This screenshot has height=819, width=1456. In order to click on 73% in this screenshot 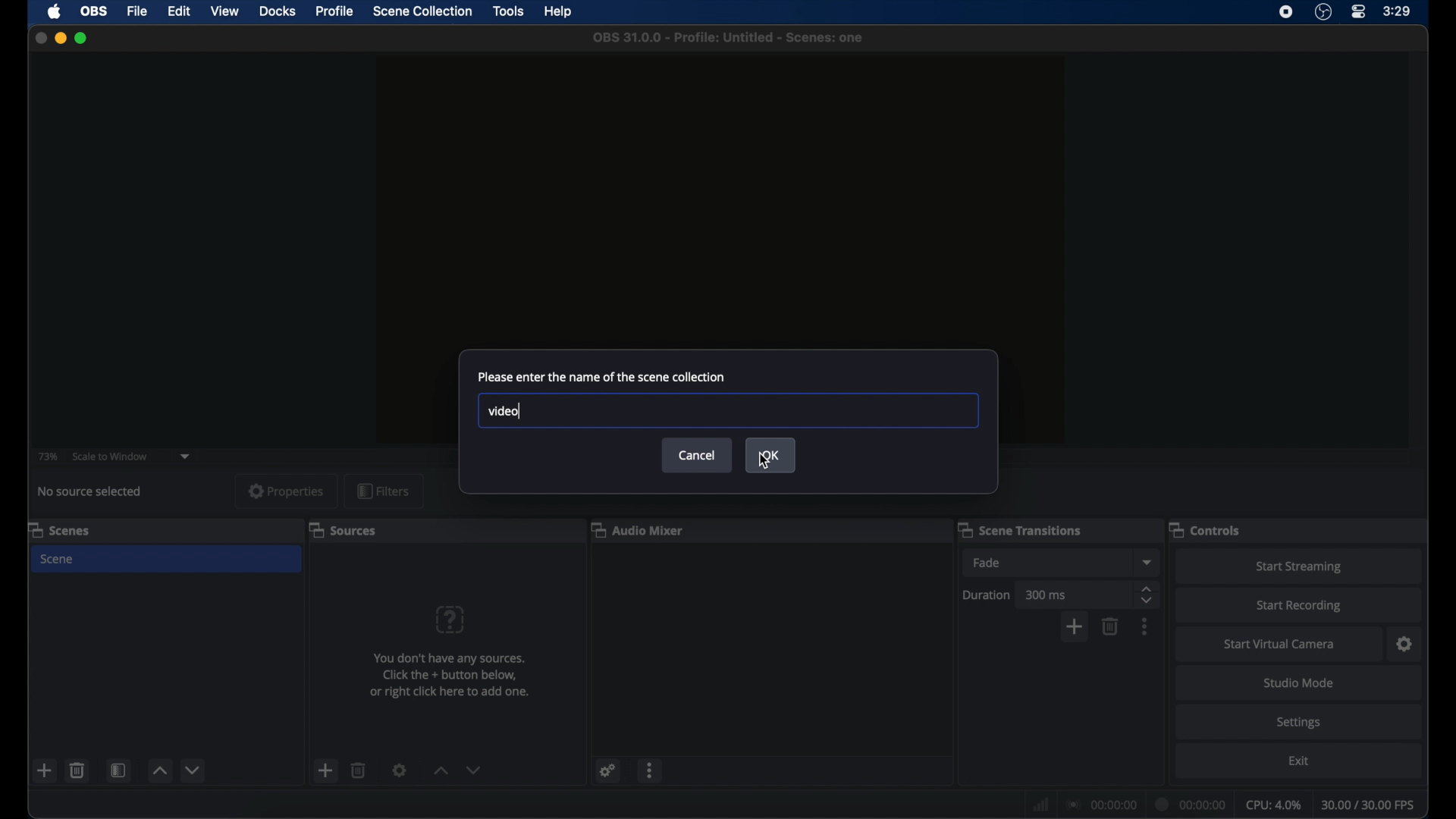, I will do `click(47, 456)`.